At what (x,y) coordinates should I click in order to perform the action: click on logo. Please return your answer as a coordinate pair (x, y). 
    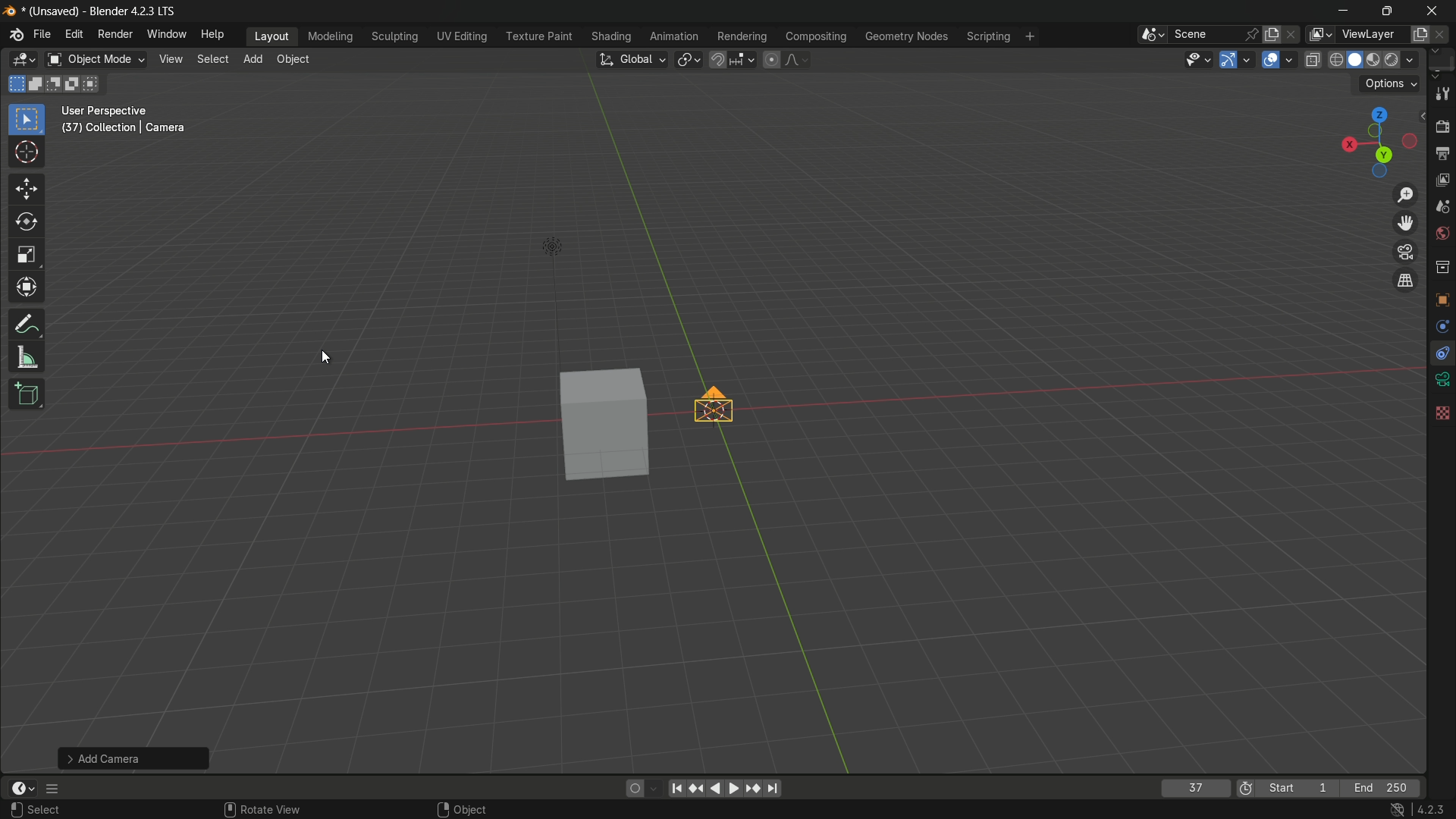
    Looking at the image, I should click on (11, 37).